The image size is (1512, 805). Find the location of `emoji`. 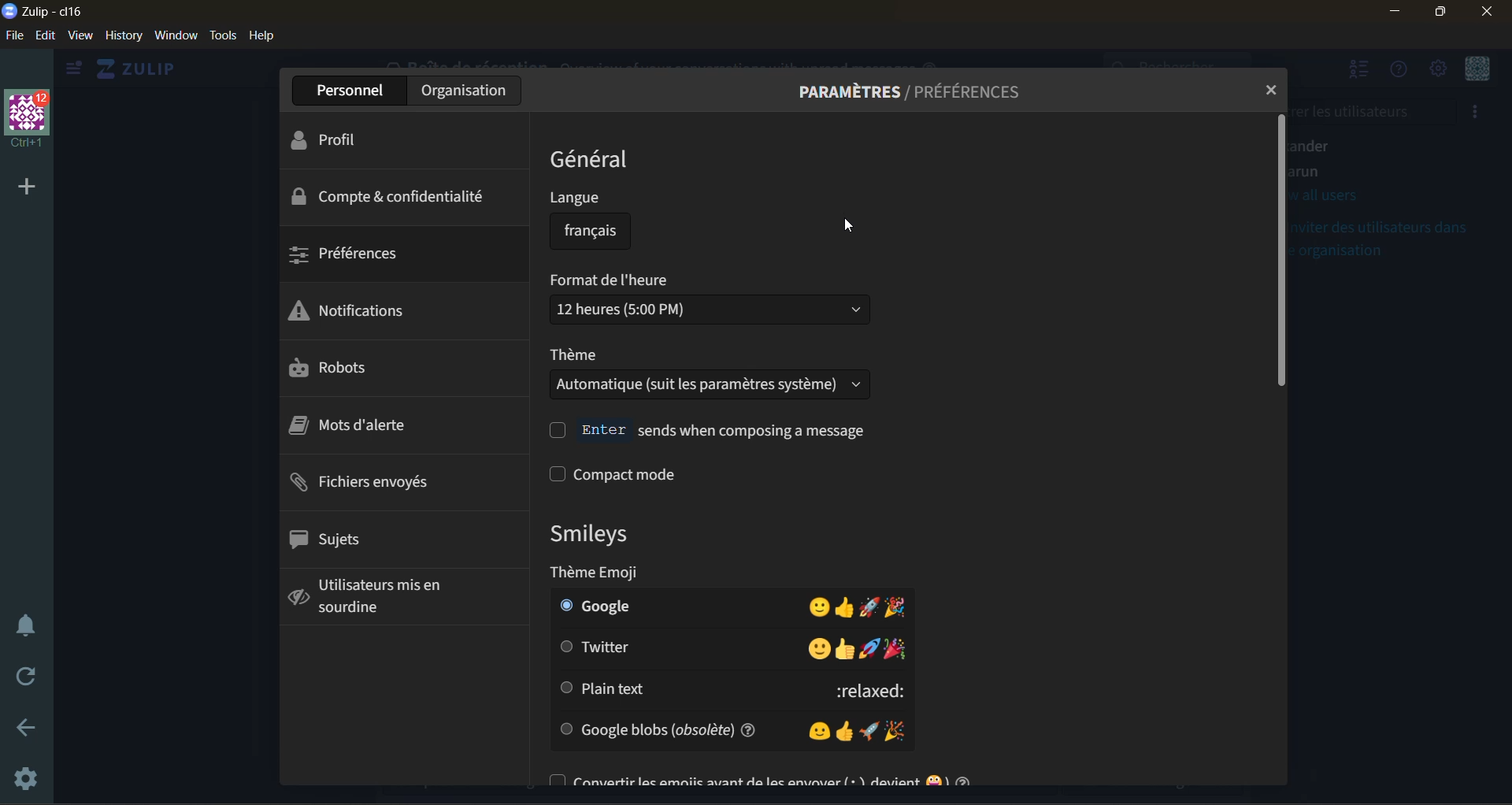

emoji is located at coordinates (586, 533).